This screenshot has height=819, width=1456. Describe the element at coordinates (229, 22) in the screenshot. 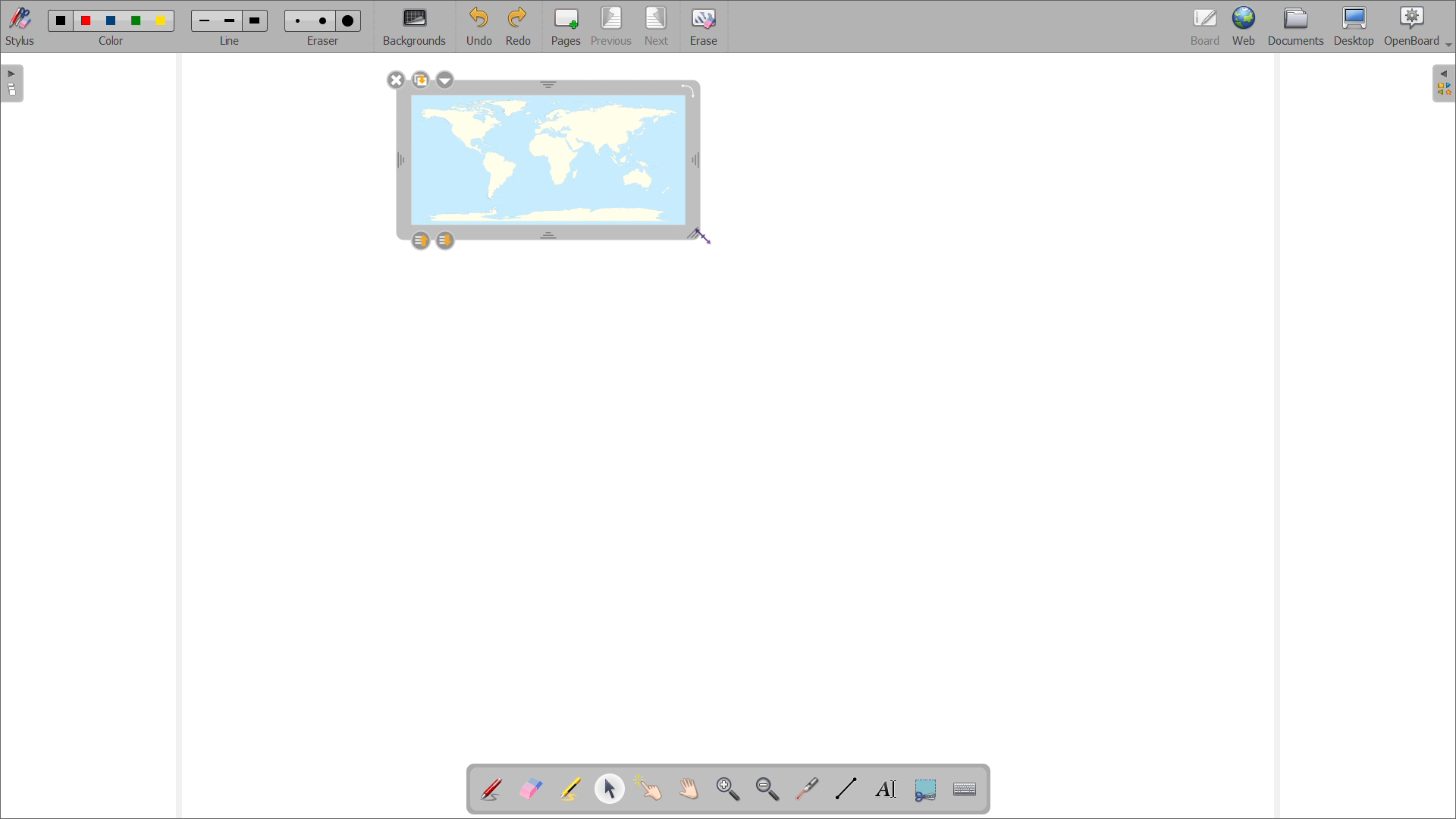

I see `medium` at that location.